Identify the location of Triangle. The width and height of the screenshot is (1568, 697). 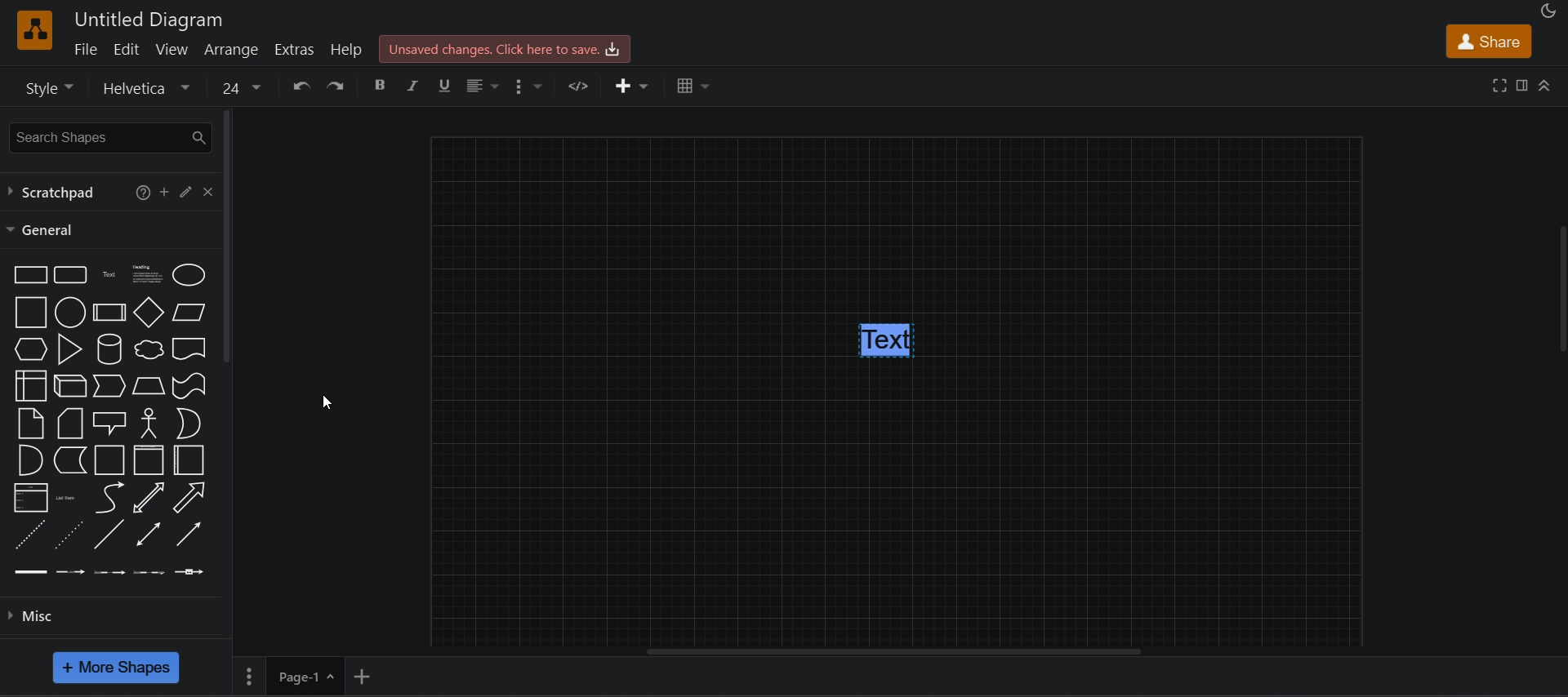
(70, 349).